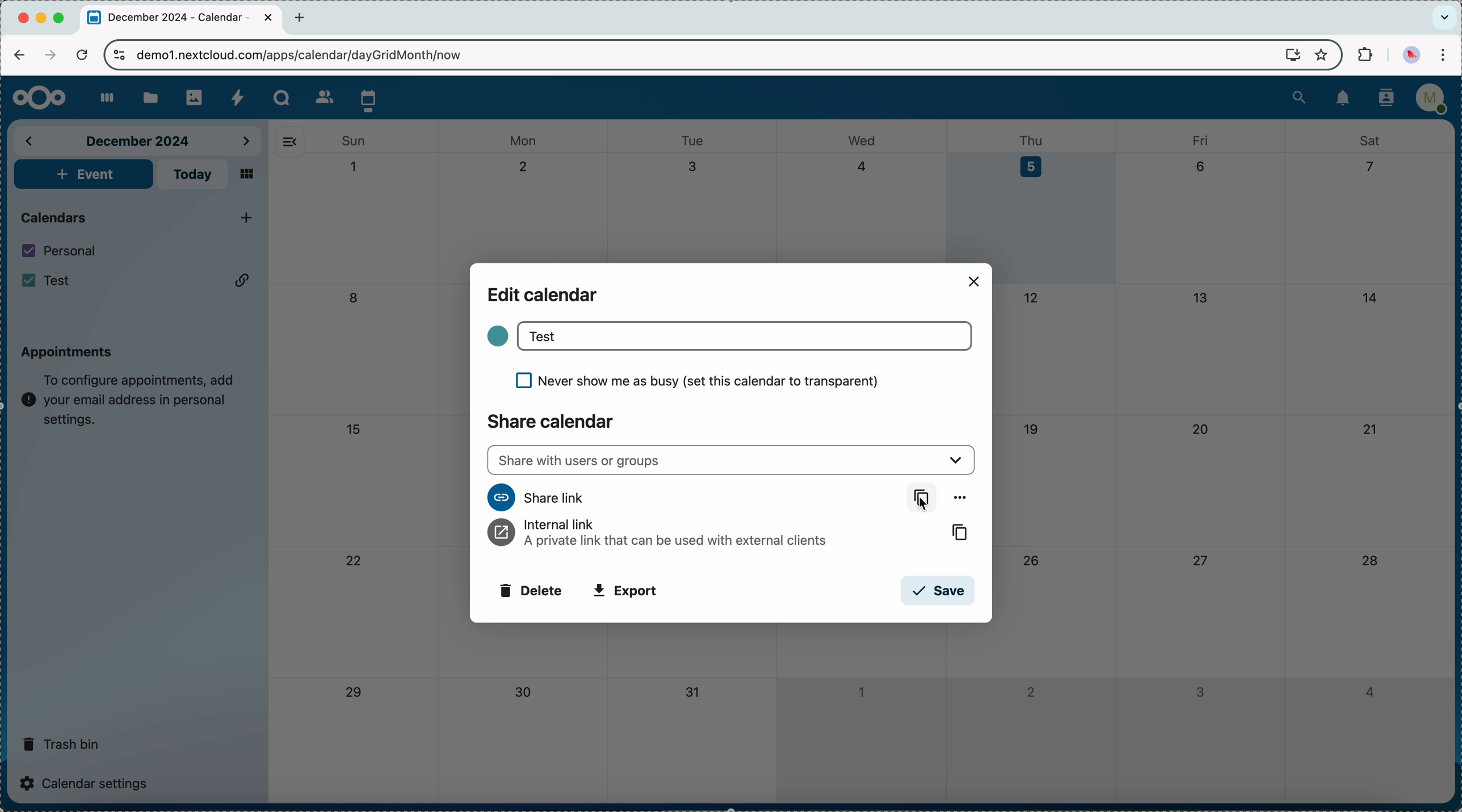 The width and height of the screenshot is (1462, 812). What do you see at coordinates (61, 251) in the screenshot?
I see `personal` at bounding box center [61, 251].